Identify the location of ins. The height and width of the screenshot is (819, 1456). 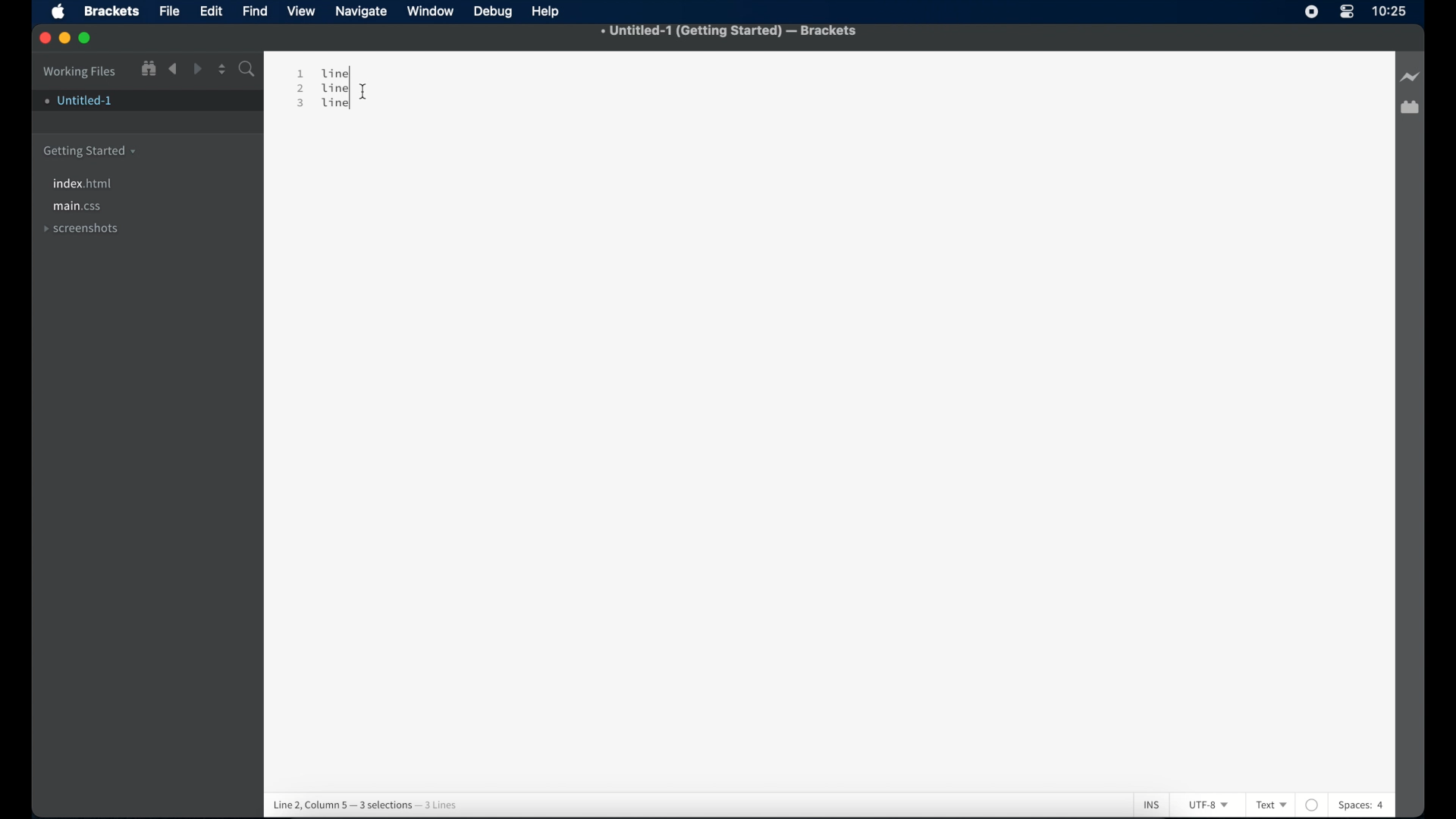
(1143, 797).